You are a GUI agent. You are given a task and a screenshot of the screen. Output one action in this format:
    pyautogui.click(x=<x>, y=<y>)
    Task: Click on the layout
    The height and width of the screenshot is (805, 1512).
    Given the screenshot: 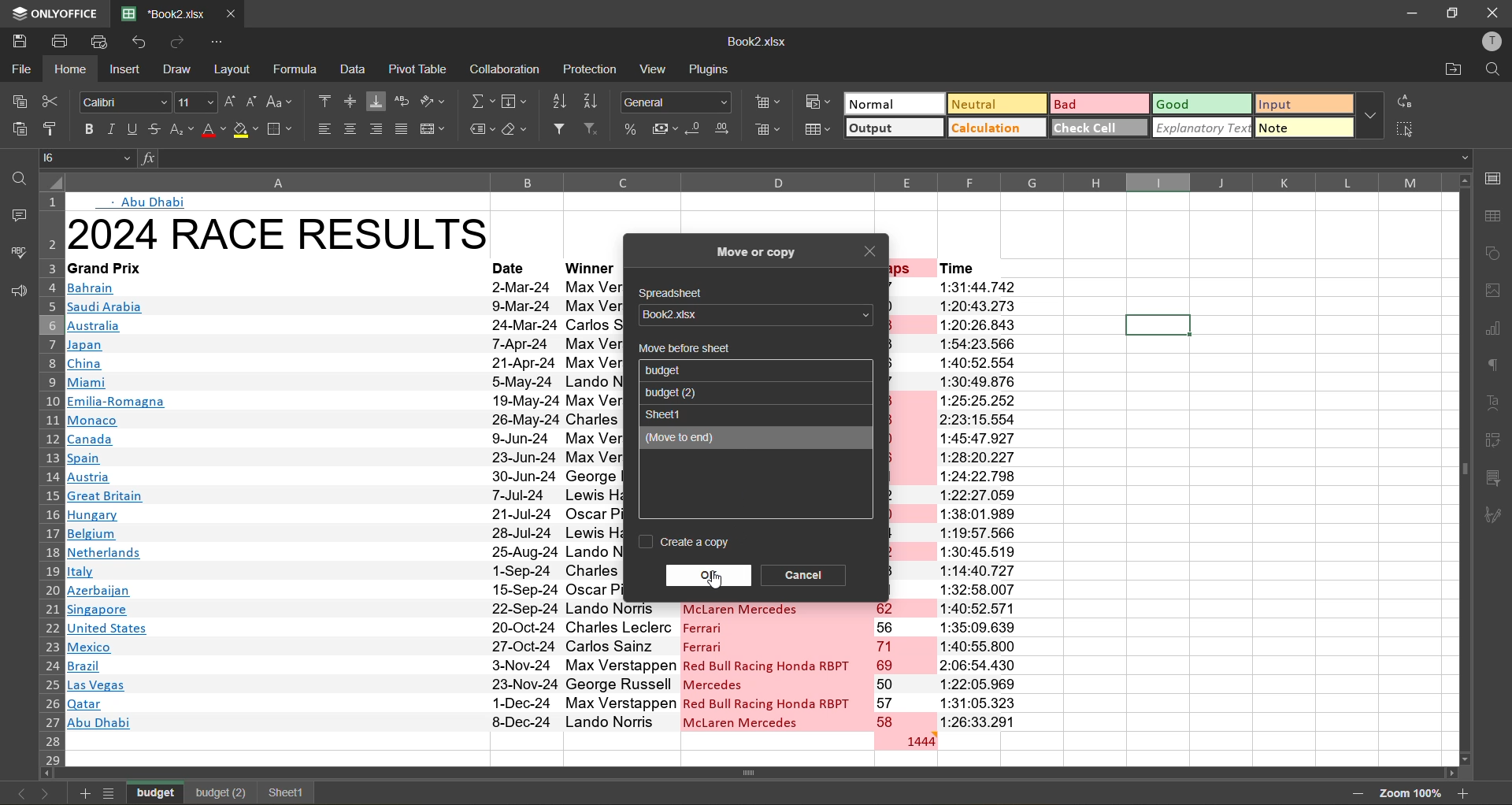 What is the action you would take?
    pyautogui.click(x=235, y=69)
    